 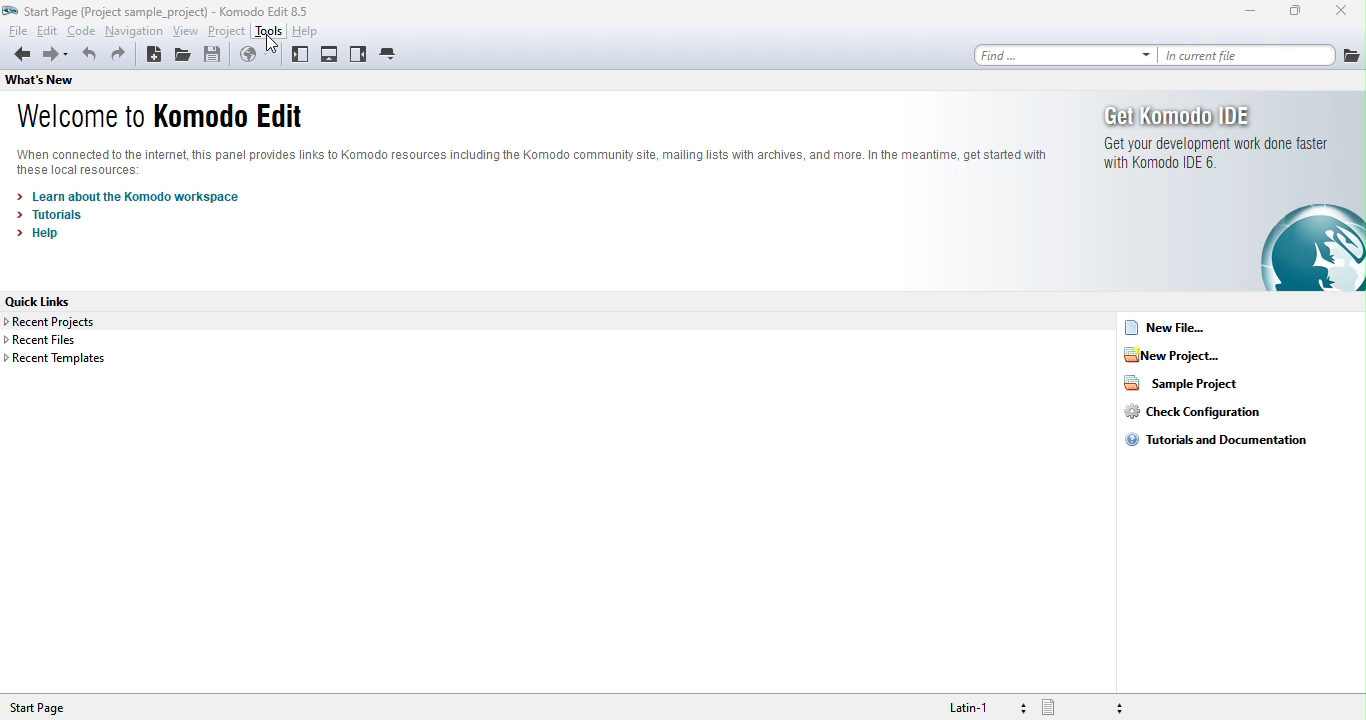 What do you see at coordinates (975, 706) in the screenshot?
I see `latin 1` at bounding box center [975, 706].